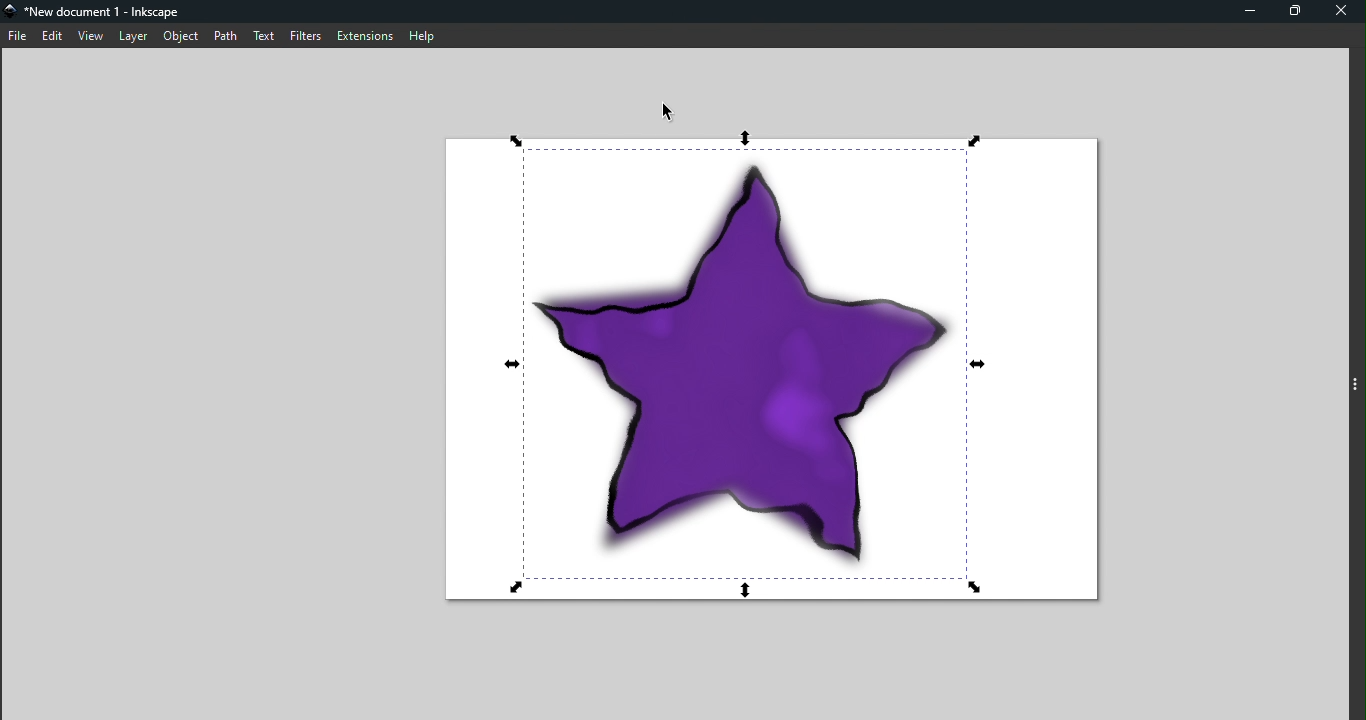 Image resolution: width=1366 pixels, height=720 pixels. Describe the element at coordinates (663, 109) in the screenshot. I see `Cursor` at that location.